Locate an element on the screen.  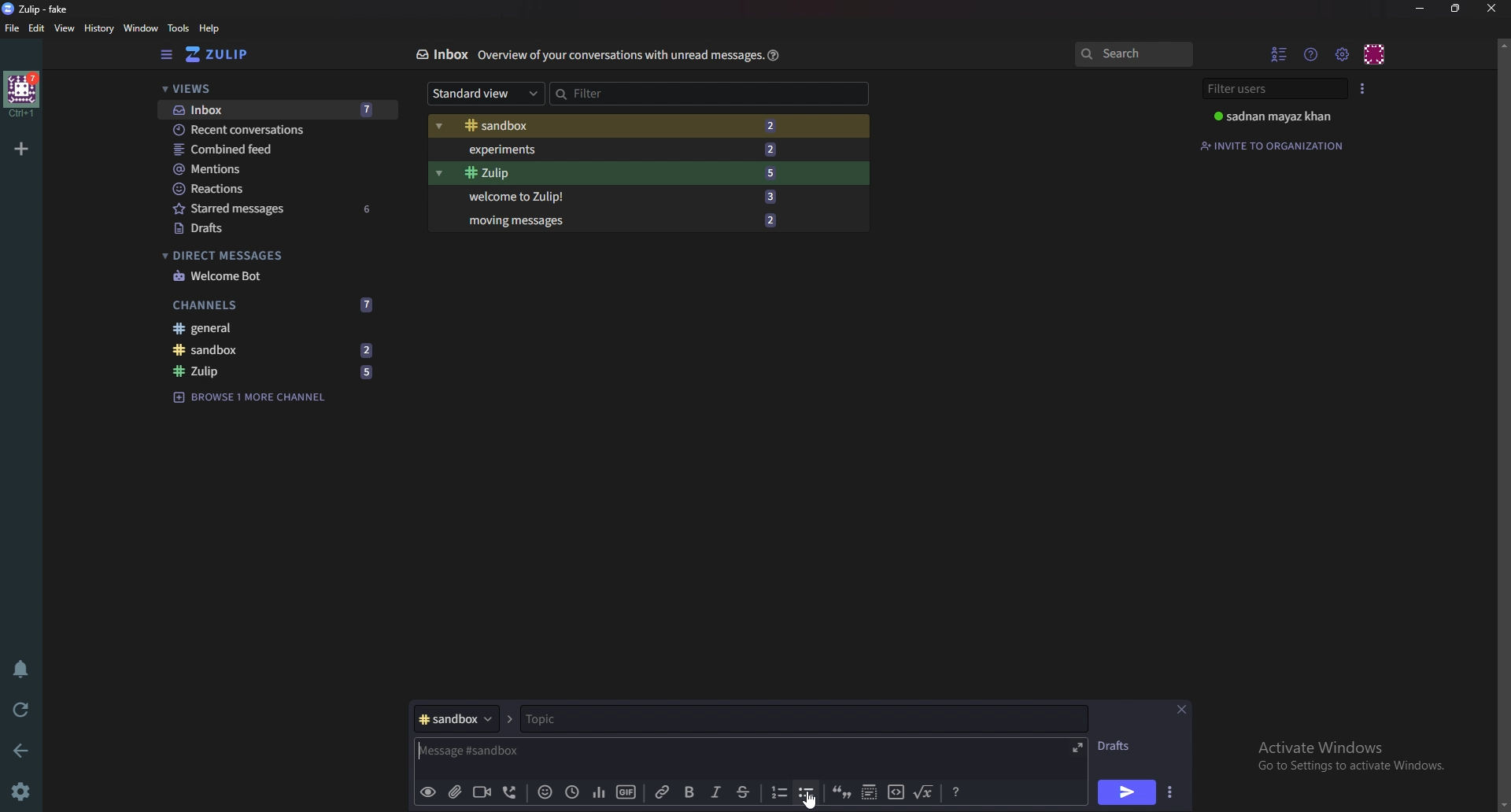
Main menu is located at coordinates (1342, 55).